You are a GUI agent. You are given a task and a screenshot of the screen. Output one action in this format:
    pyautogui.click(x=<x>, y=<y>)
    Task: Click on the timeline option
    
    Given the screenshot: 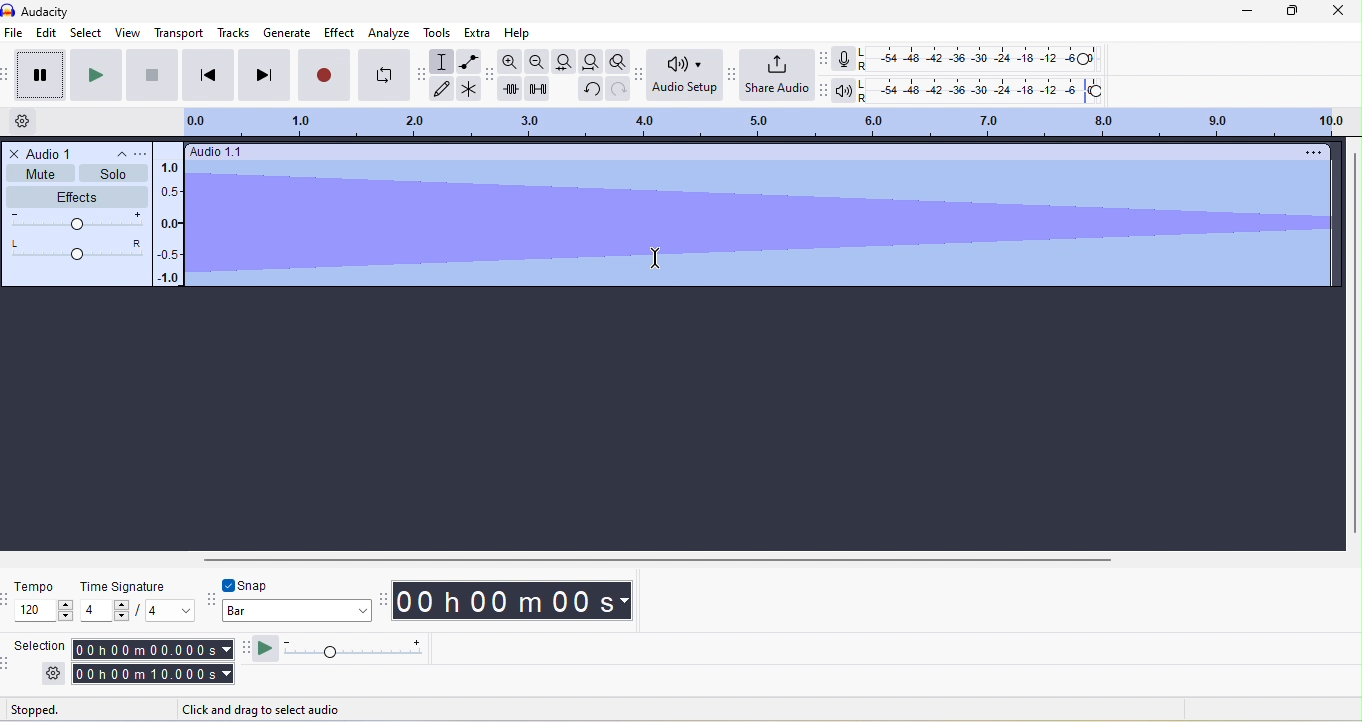 What is the action you would take?
    pyautogui.click(x=31, y=121)
    